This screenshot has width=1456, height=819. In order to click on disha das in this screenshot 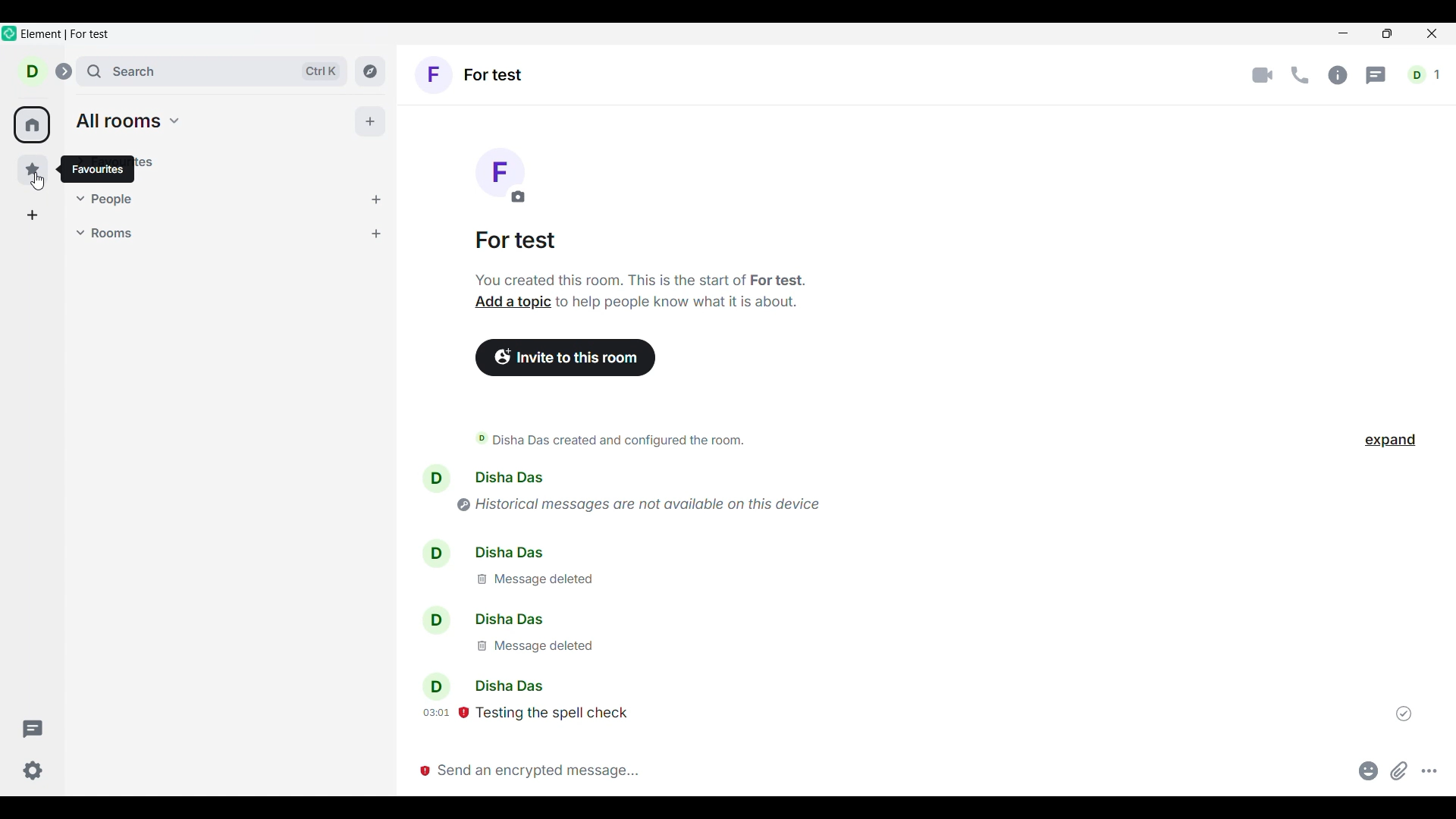, I will do `click(500, 479)`.